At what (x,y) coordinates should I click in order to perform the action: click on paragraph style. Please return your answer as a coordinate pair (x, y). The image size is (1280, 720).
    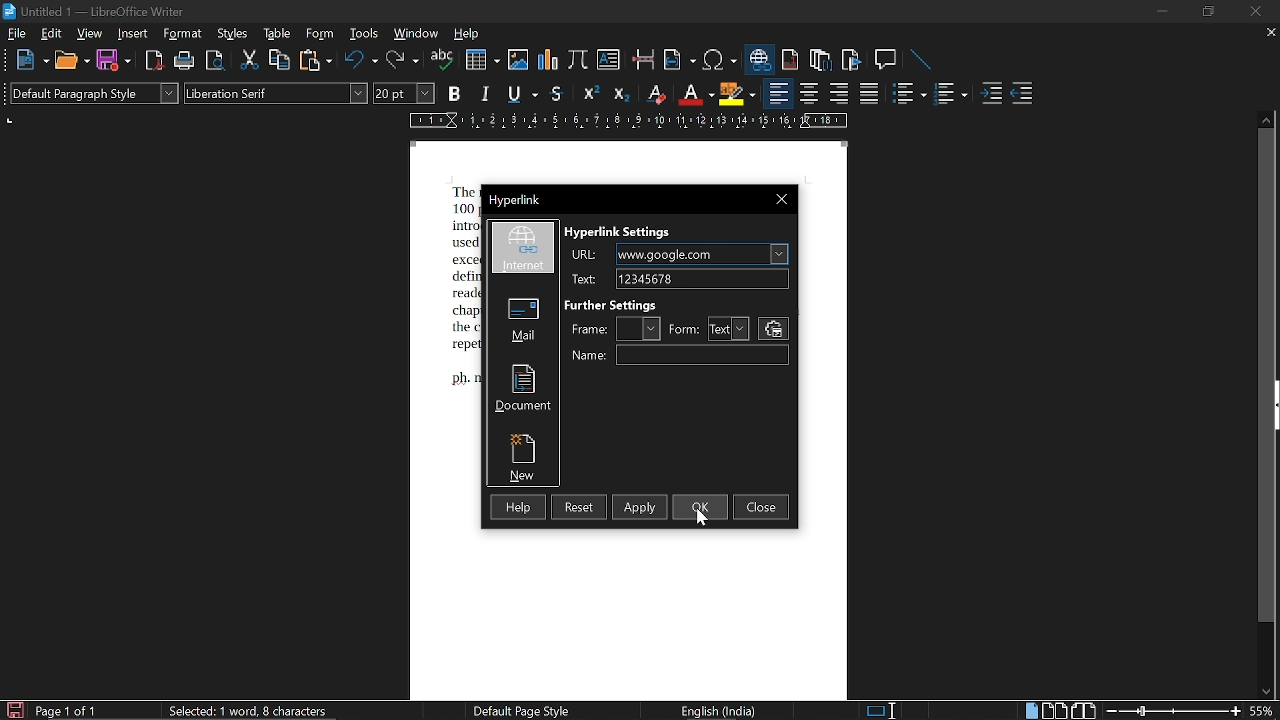
    Looking at the image, I should click on (94, 93).